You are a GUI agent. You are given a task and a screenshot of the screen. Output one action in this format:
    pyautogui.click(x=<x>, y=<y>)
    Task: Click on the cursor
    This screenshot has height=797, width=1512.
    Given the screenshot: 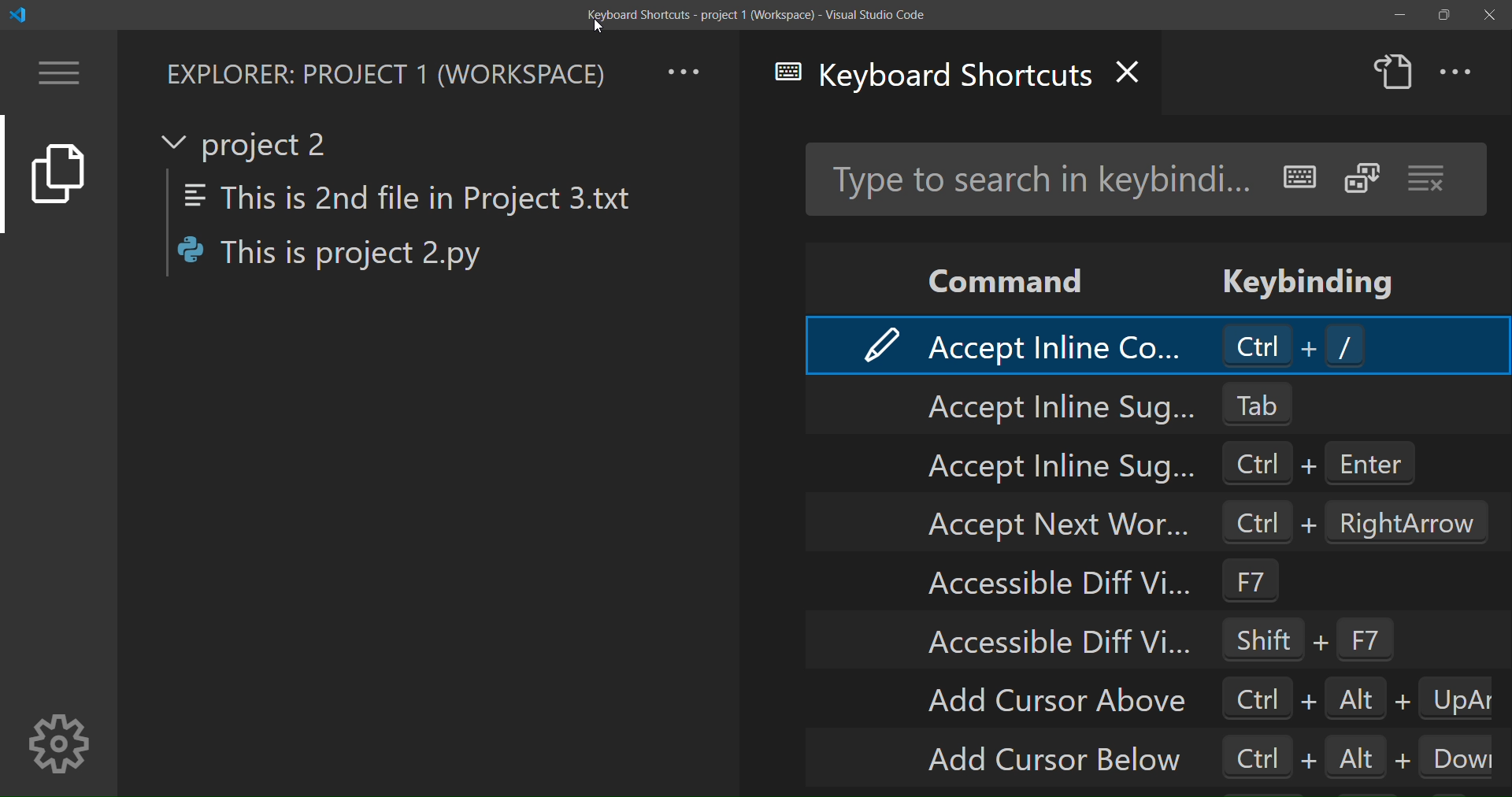 What is the action you would take?
    pyautogui.click(x=600, y=28)
    